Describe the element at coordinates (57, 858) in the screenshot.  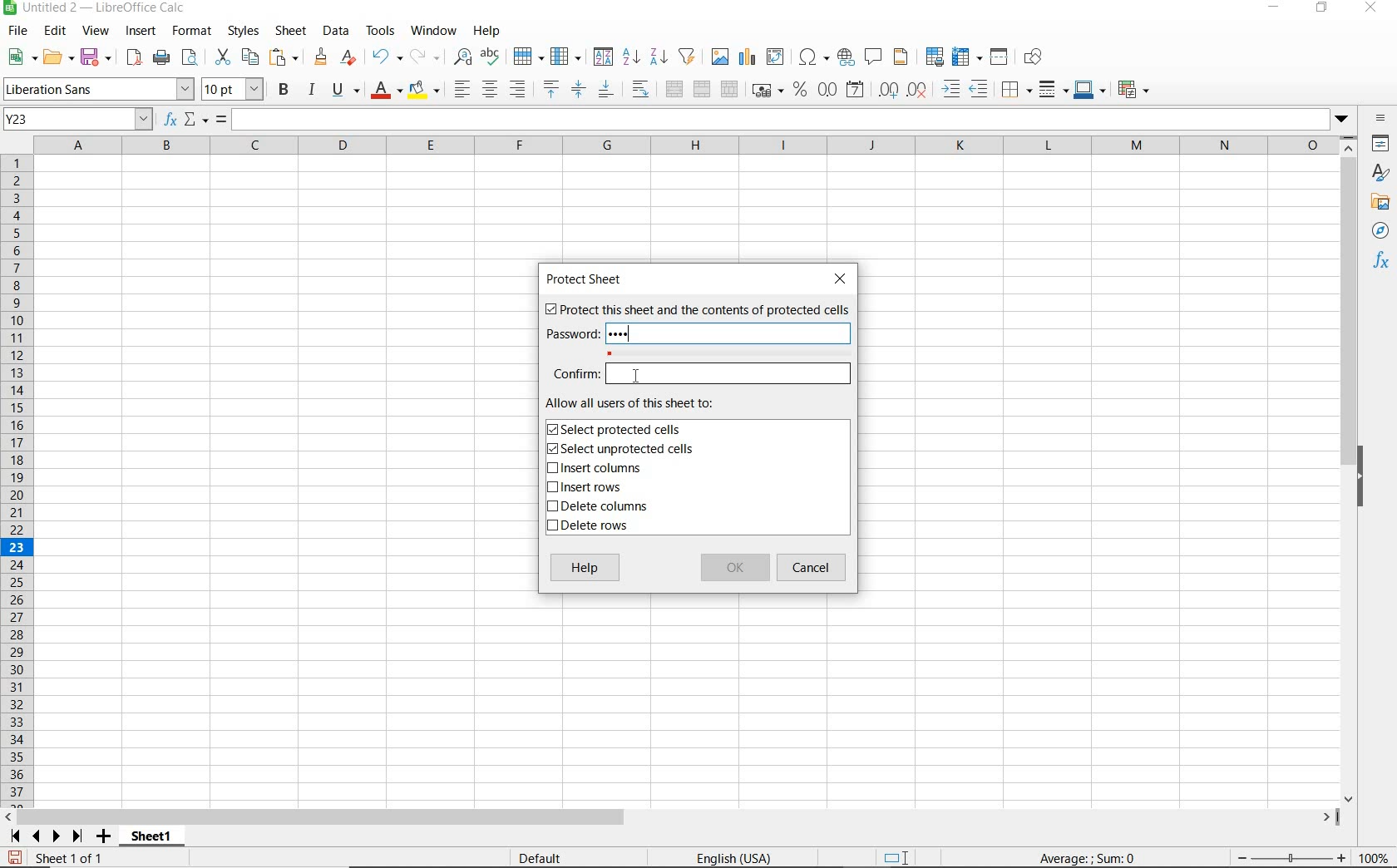
I see `Sheet 1 of 1` at that location.